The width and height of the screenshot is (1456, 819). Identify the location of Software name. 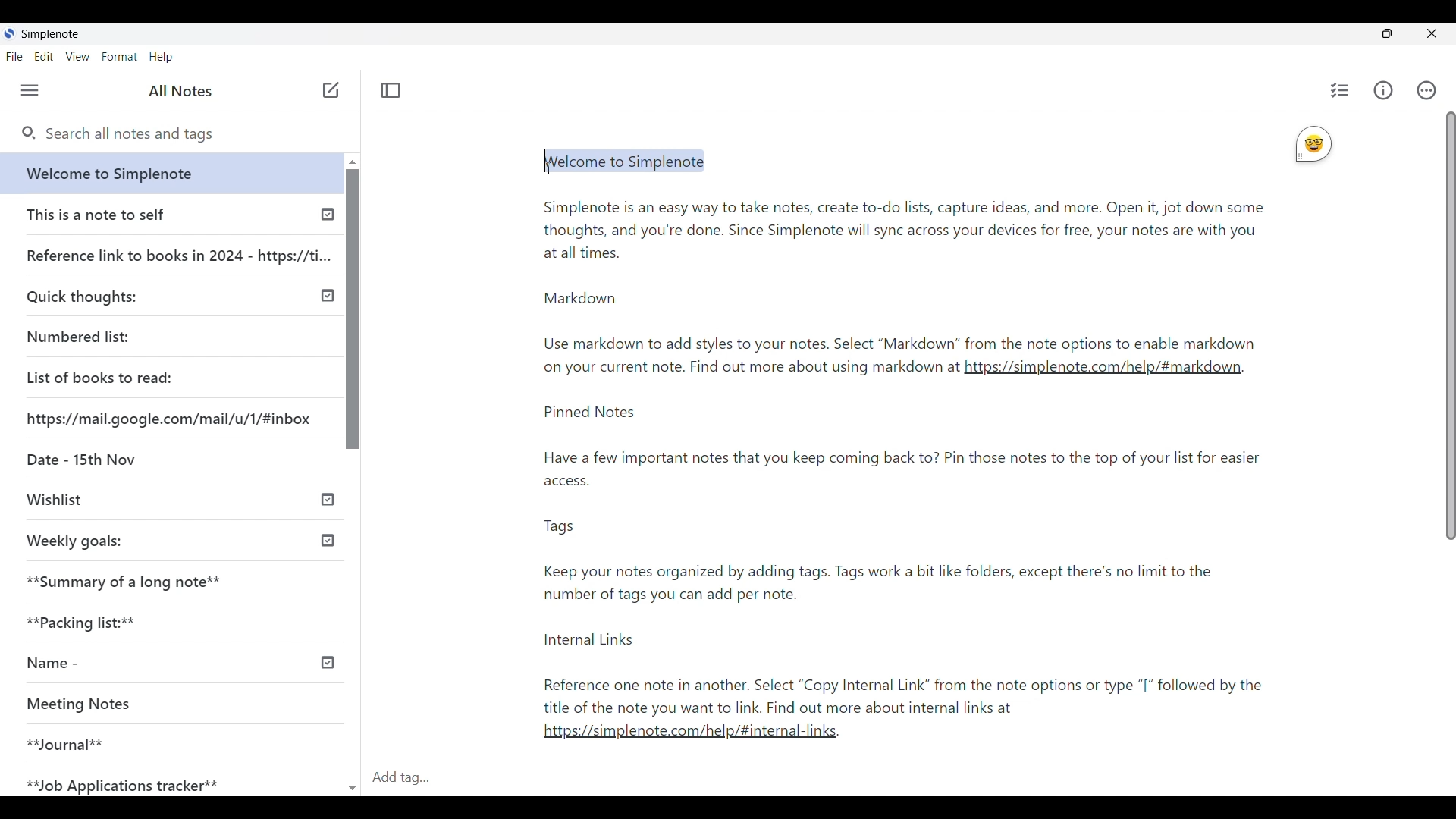
(49, 34).